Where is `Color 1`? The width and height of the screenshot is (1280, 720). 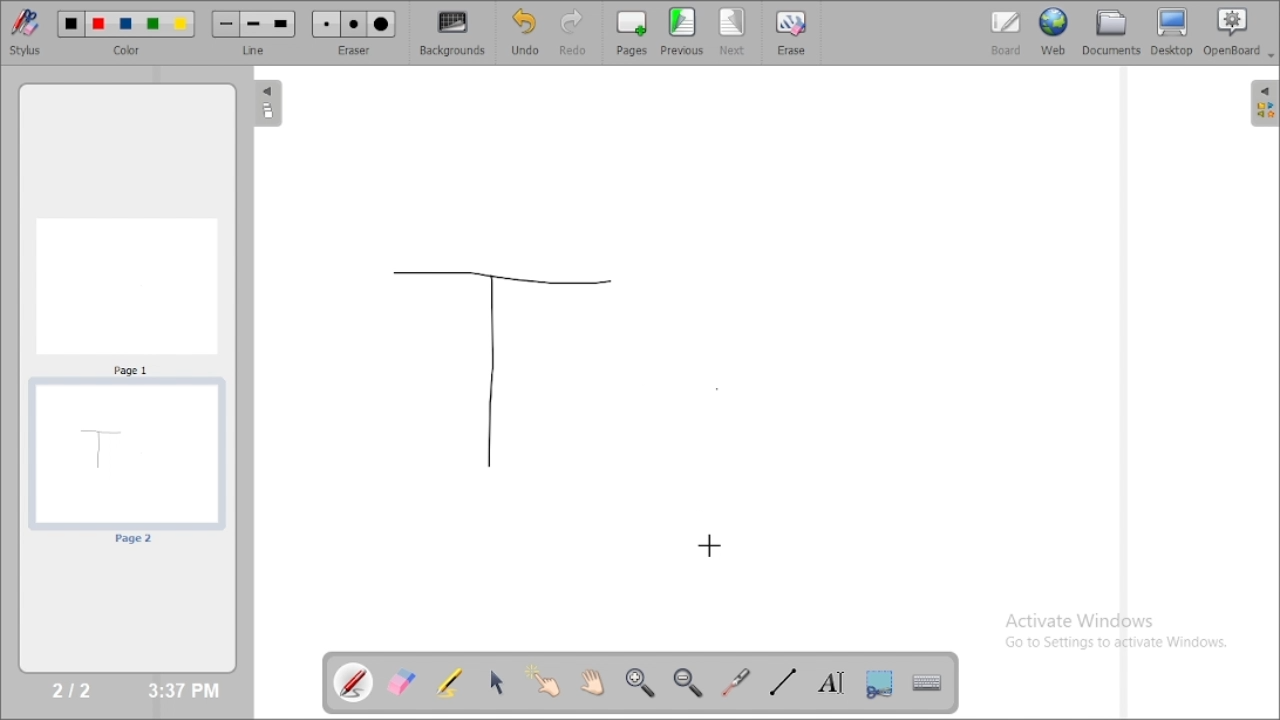
Color 1 is located at coordinates (72, 25).